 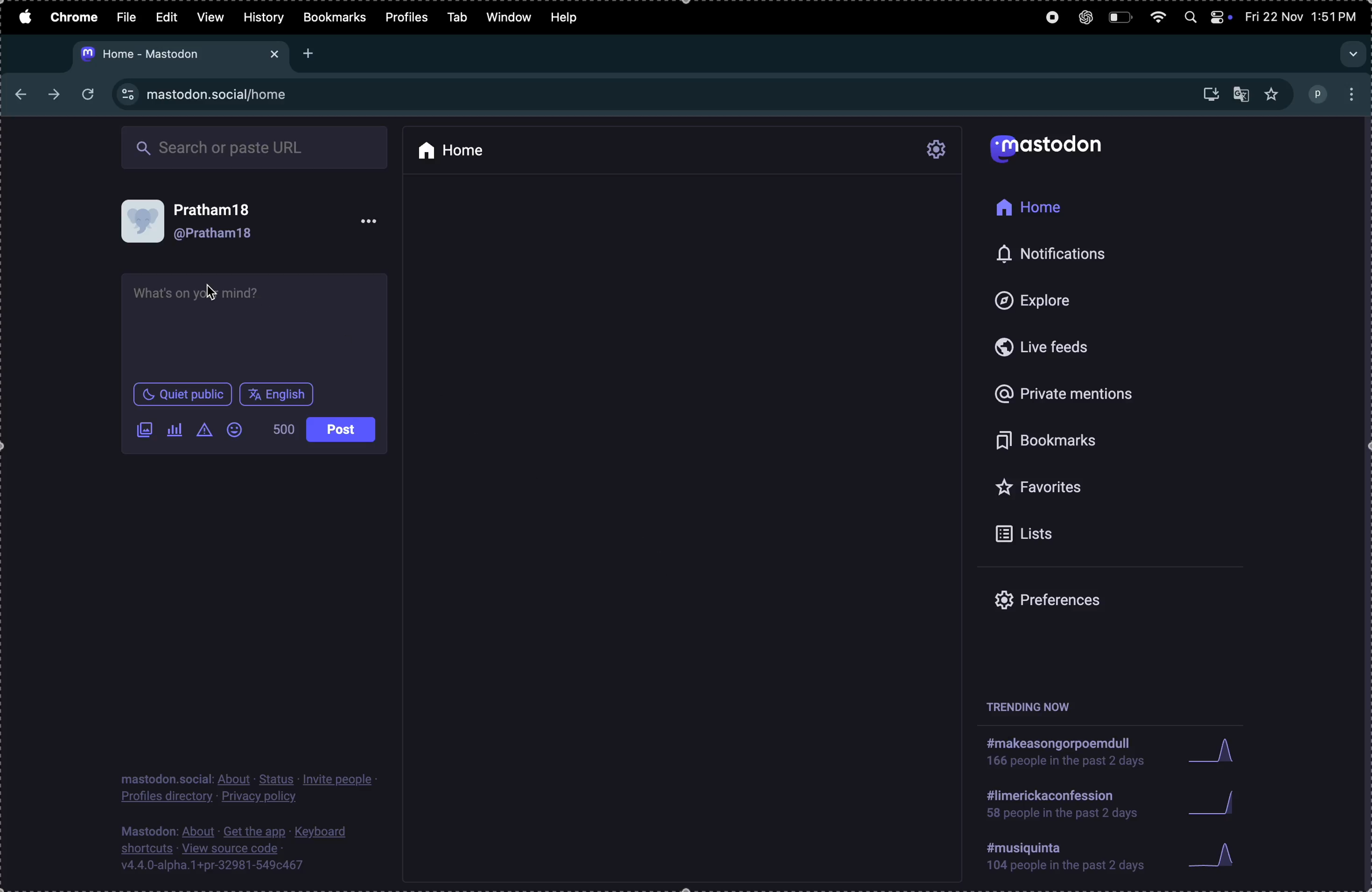 What do you see at coordinates (24, 17) in the screenshot?
I see `apple menu` at bounding box center [24, 17].